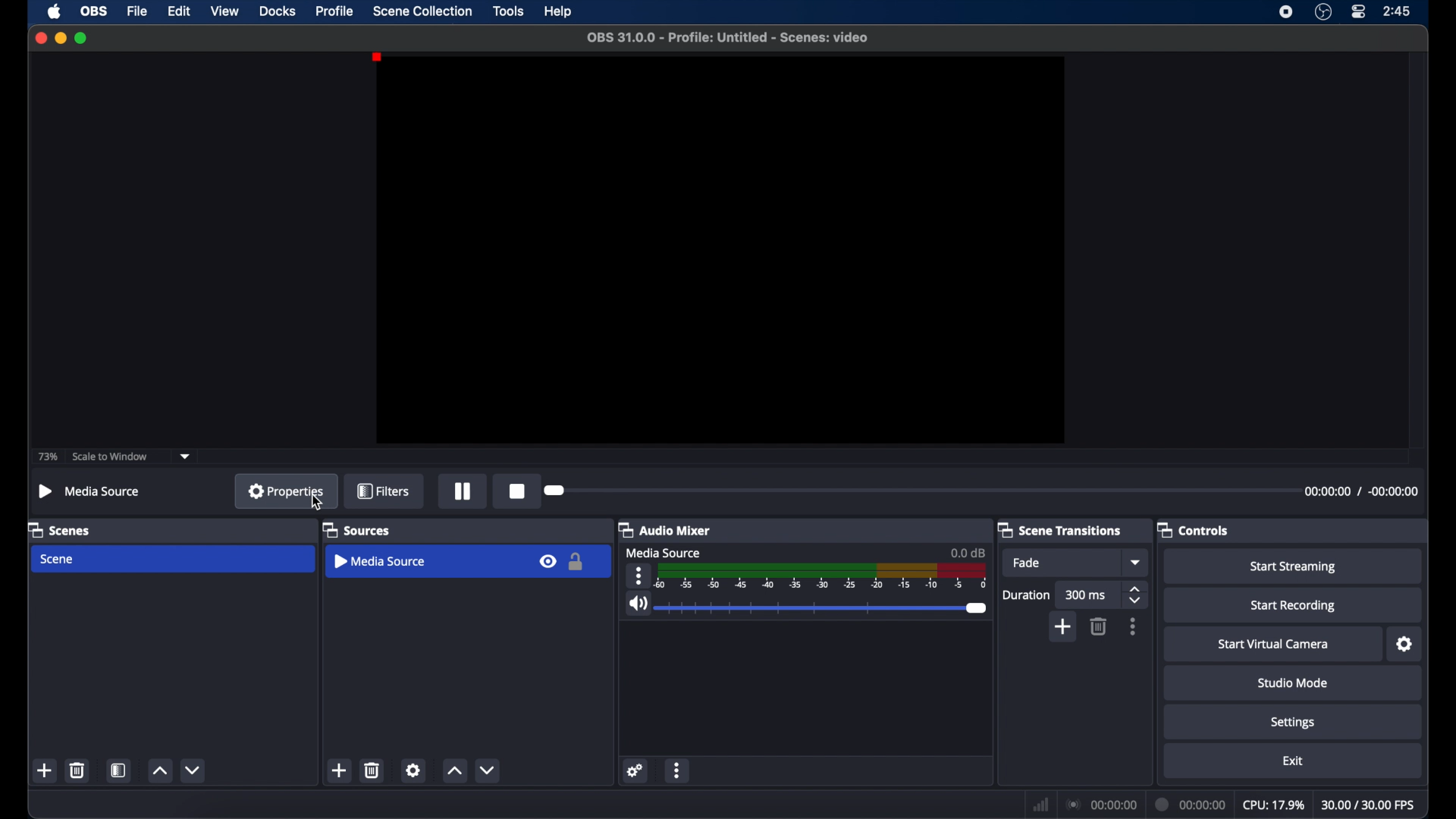 Image resolution: width=1456 pixels, height=819 pixels. What do you see at coordinates (60, 37) in the screenshot?
I see `minimize` at bounding box center [60, 37].